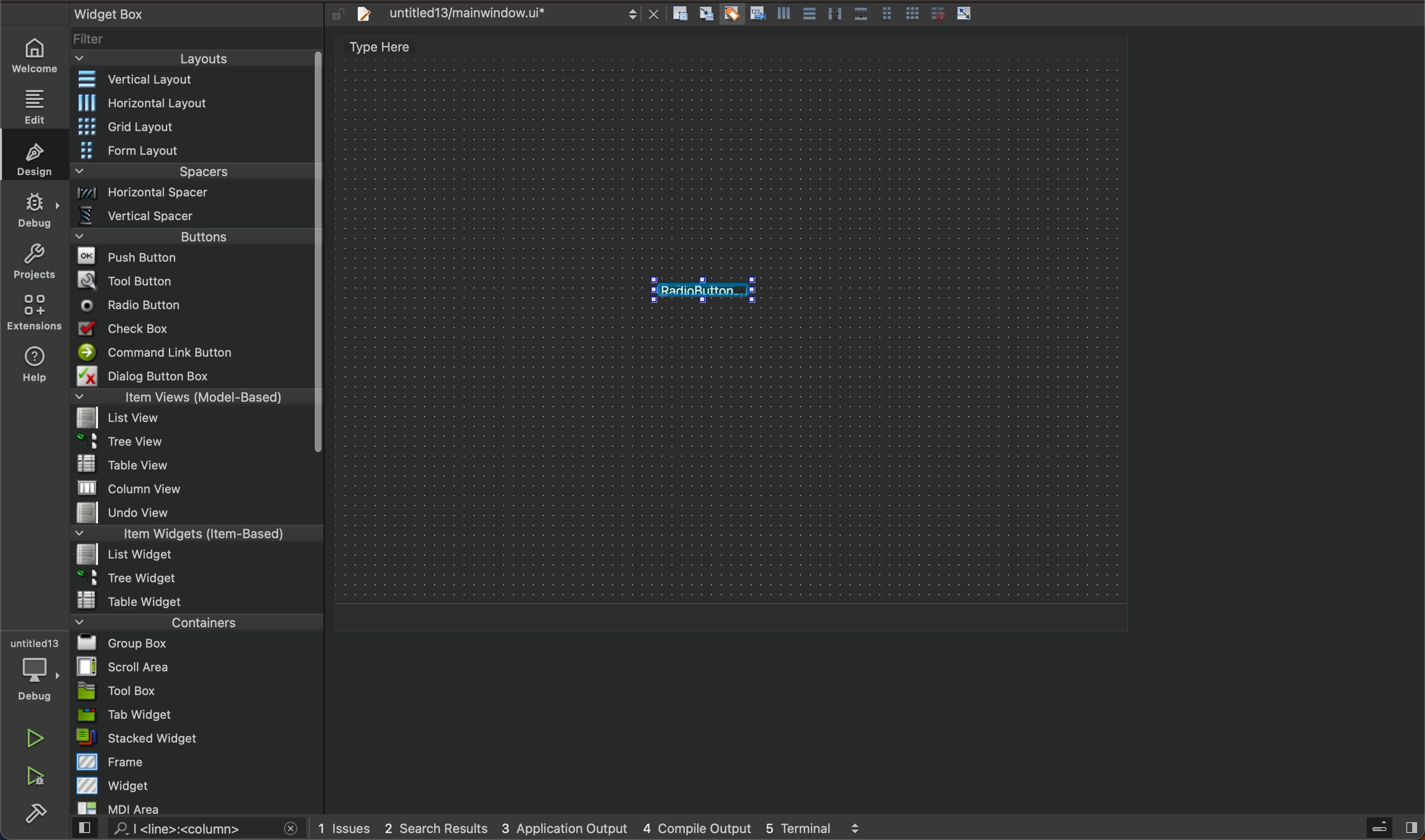  I want to click on start typing, so click(701, 290).